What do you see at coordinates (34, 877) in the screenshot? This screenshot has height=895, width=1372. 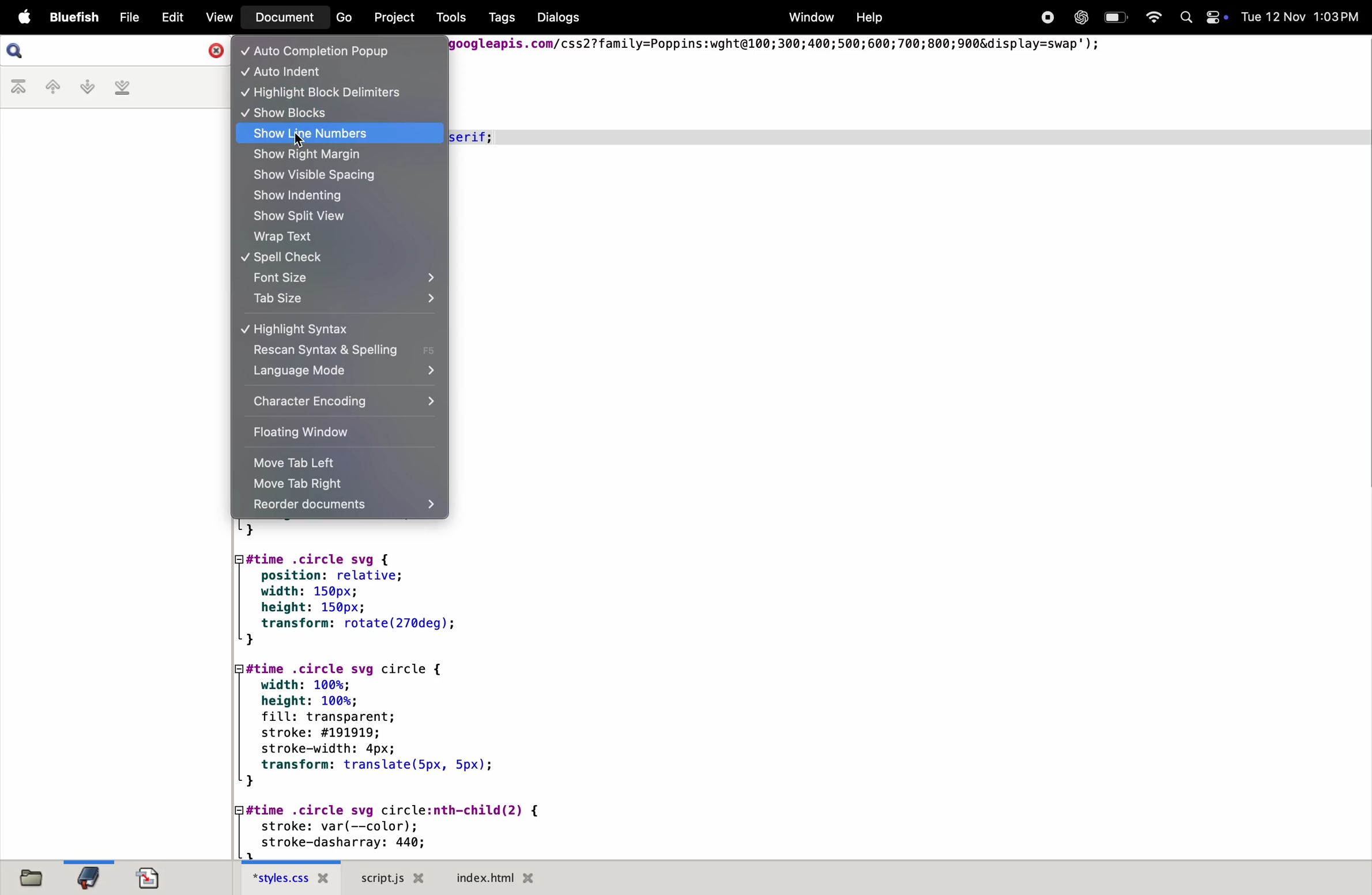 I see `file` at bounding box center [34, 877].